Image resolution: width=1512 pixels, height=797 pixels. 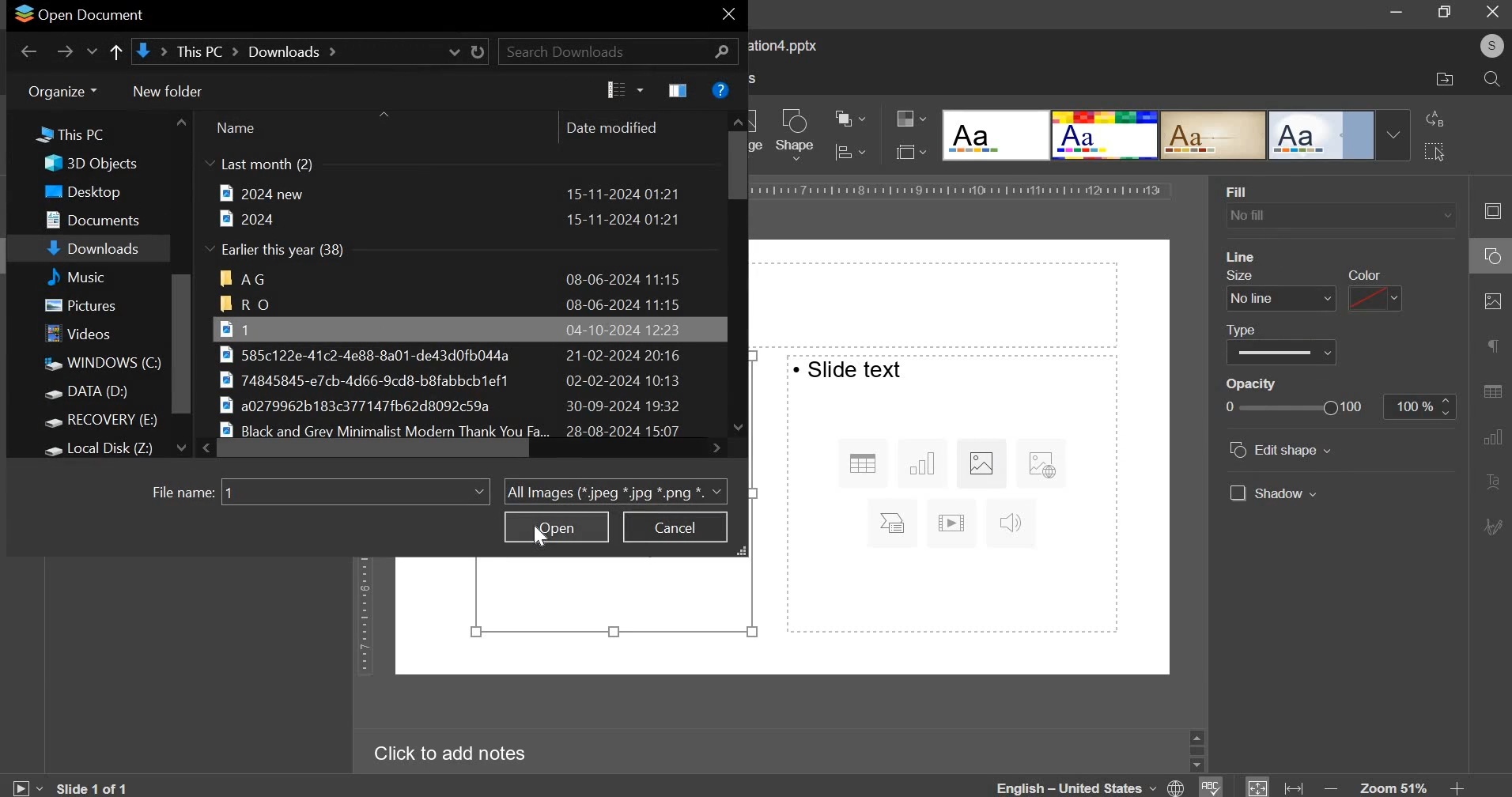 What do you see at coordinates (1490, 301) in the screenshot?
I see `image setting` at bounding box center [1490, 301].